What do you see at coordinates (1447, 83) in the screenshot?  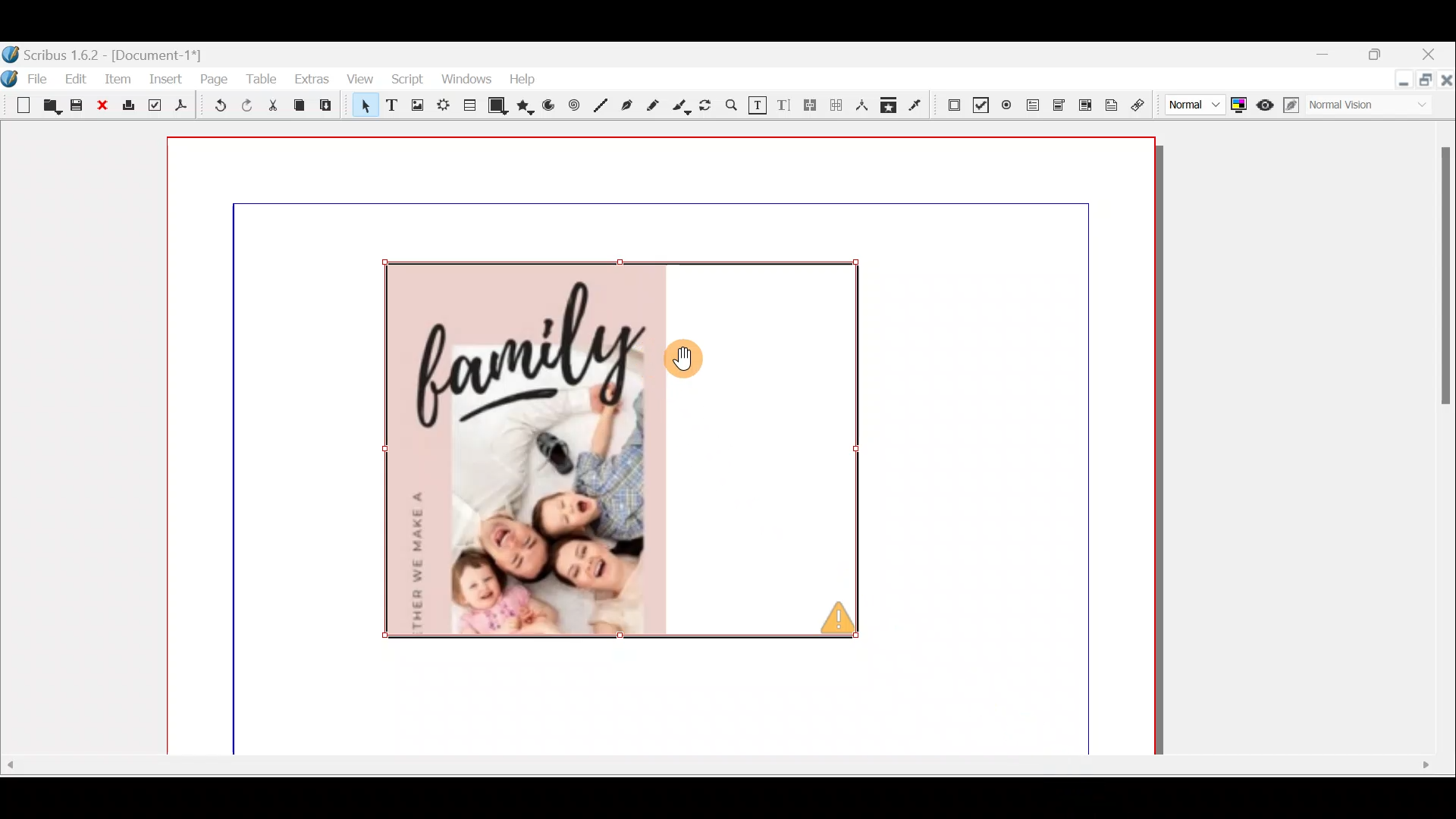 I see `Close` at bounding box center [1447, 83].